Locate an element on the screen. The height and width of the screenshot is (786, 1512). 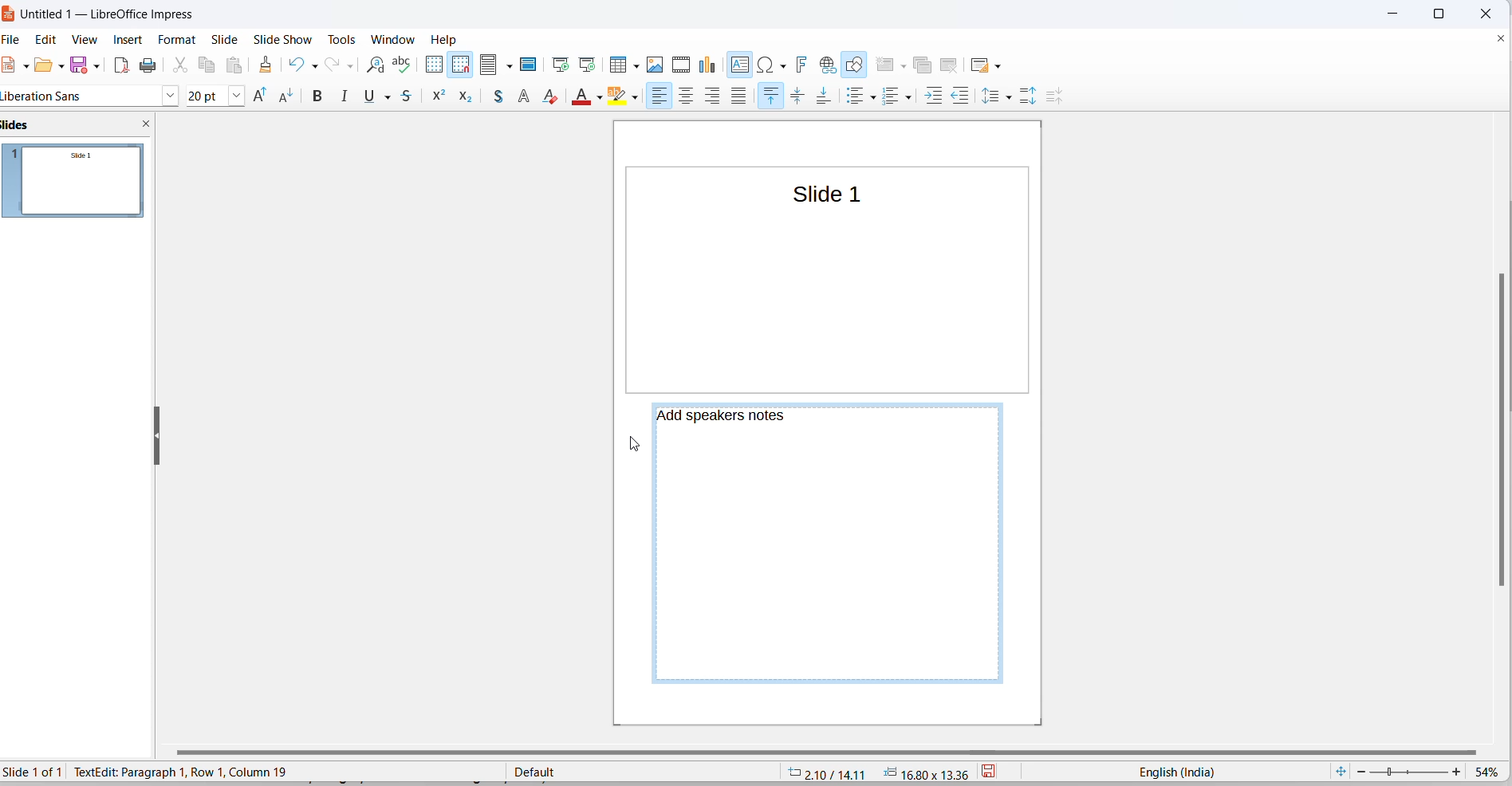
close is located at coordinates (1391, 14).